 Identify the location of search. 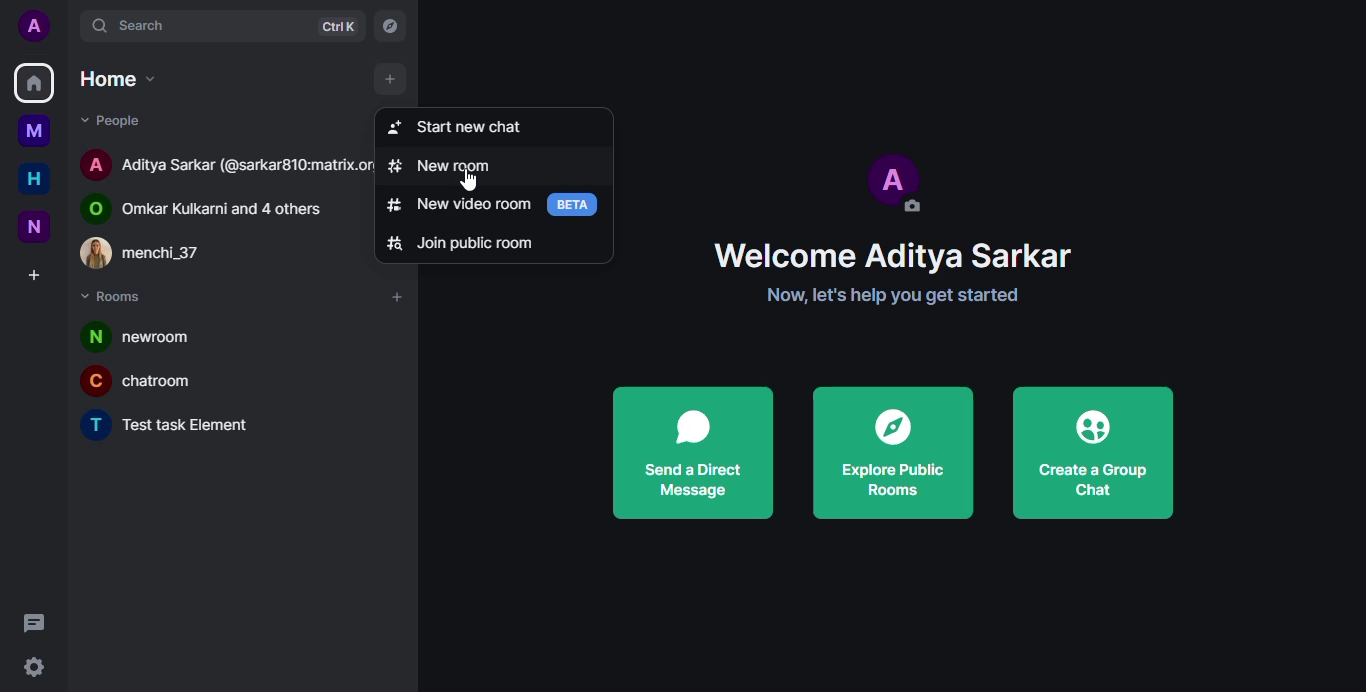
(155, 25).